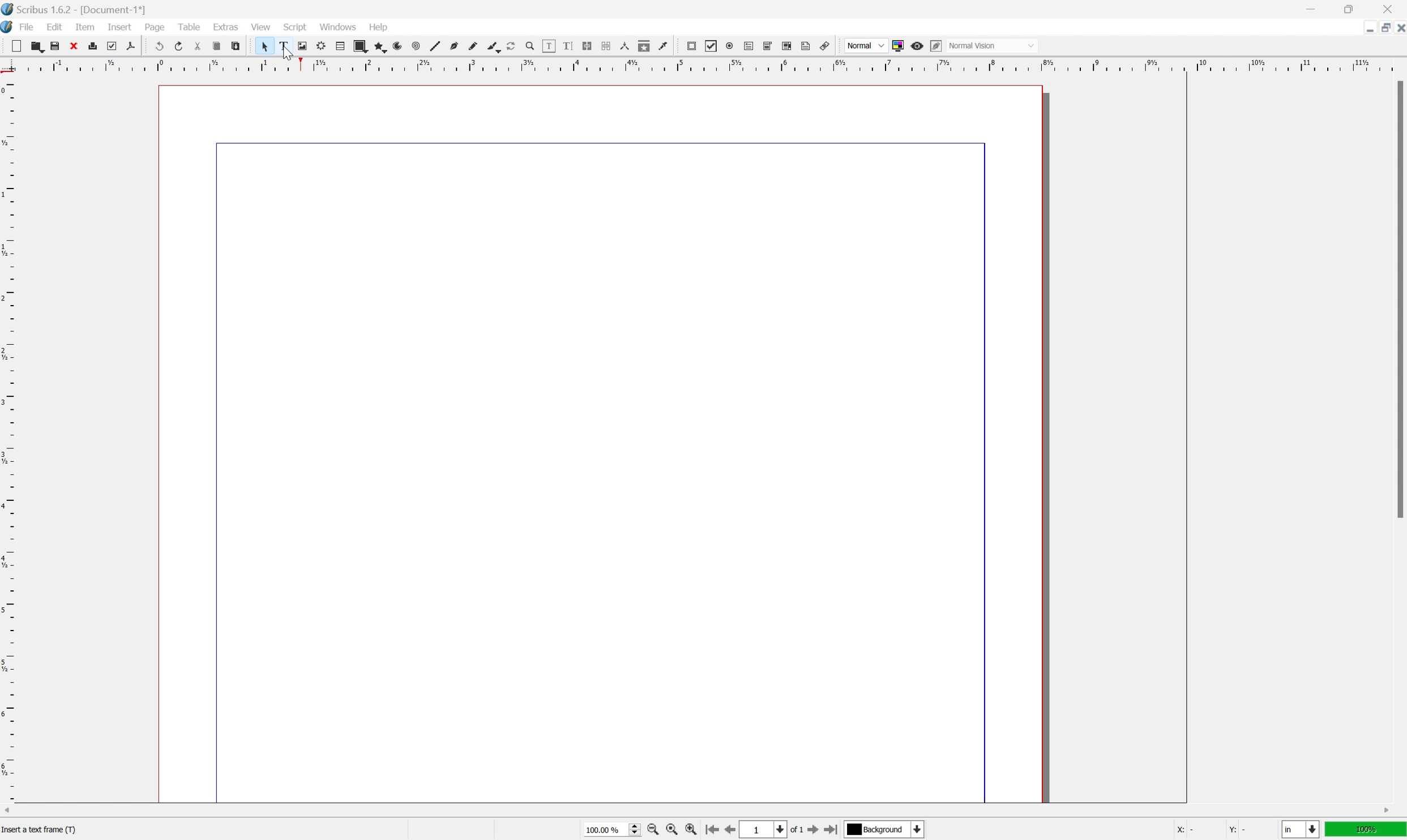 This screenshot has width=1407, height=840. What do you see at coordinates (1364, 28) in the screenshot?
I see `minimize` at bounding box center [1364, 28].